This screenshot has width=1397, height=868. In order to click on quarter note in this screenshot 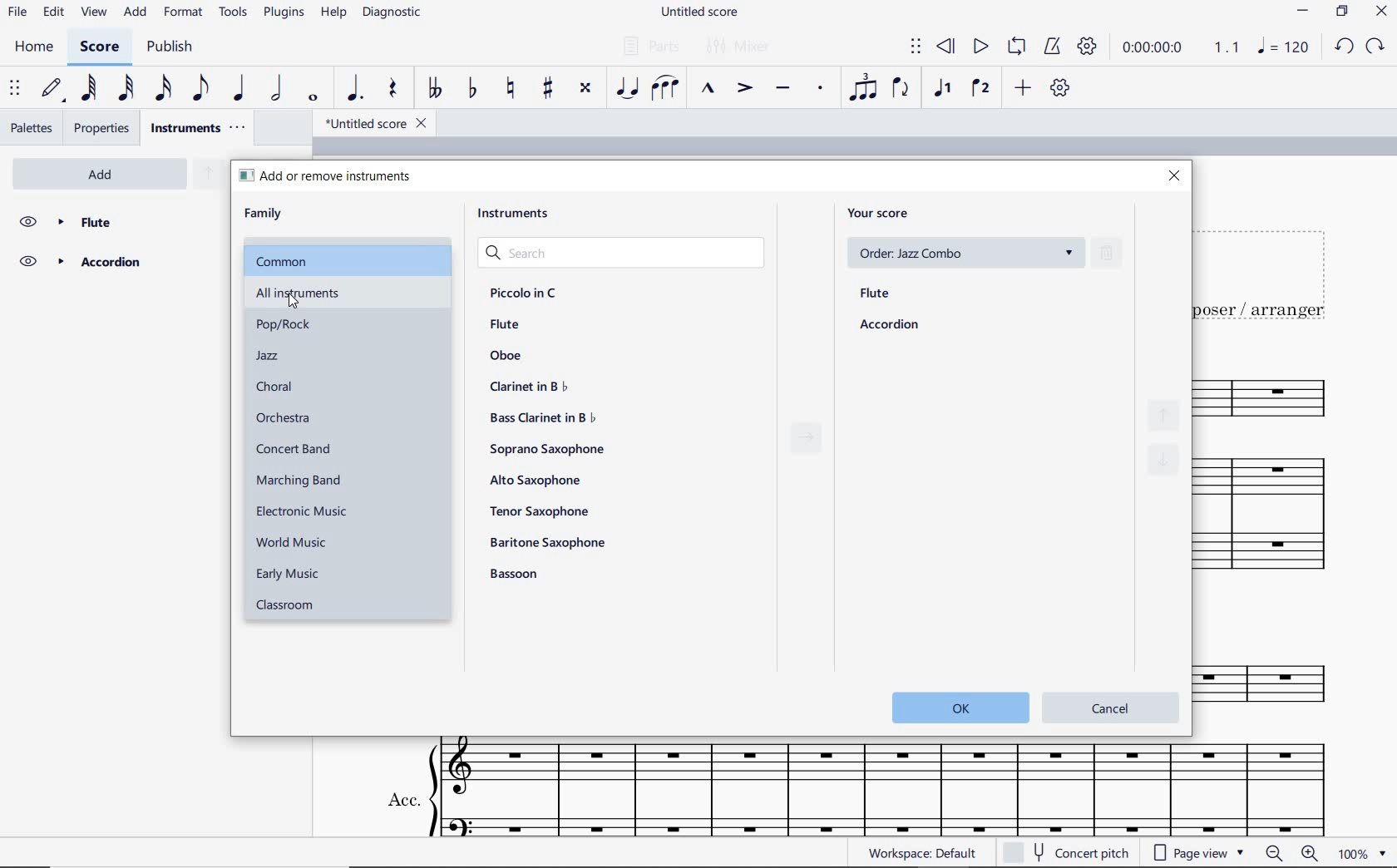, I will do `click(240, 88)`.